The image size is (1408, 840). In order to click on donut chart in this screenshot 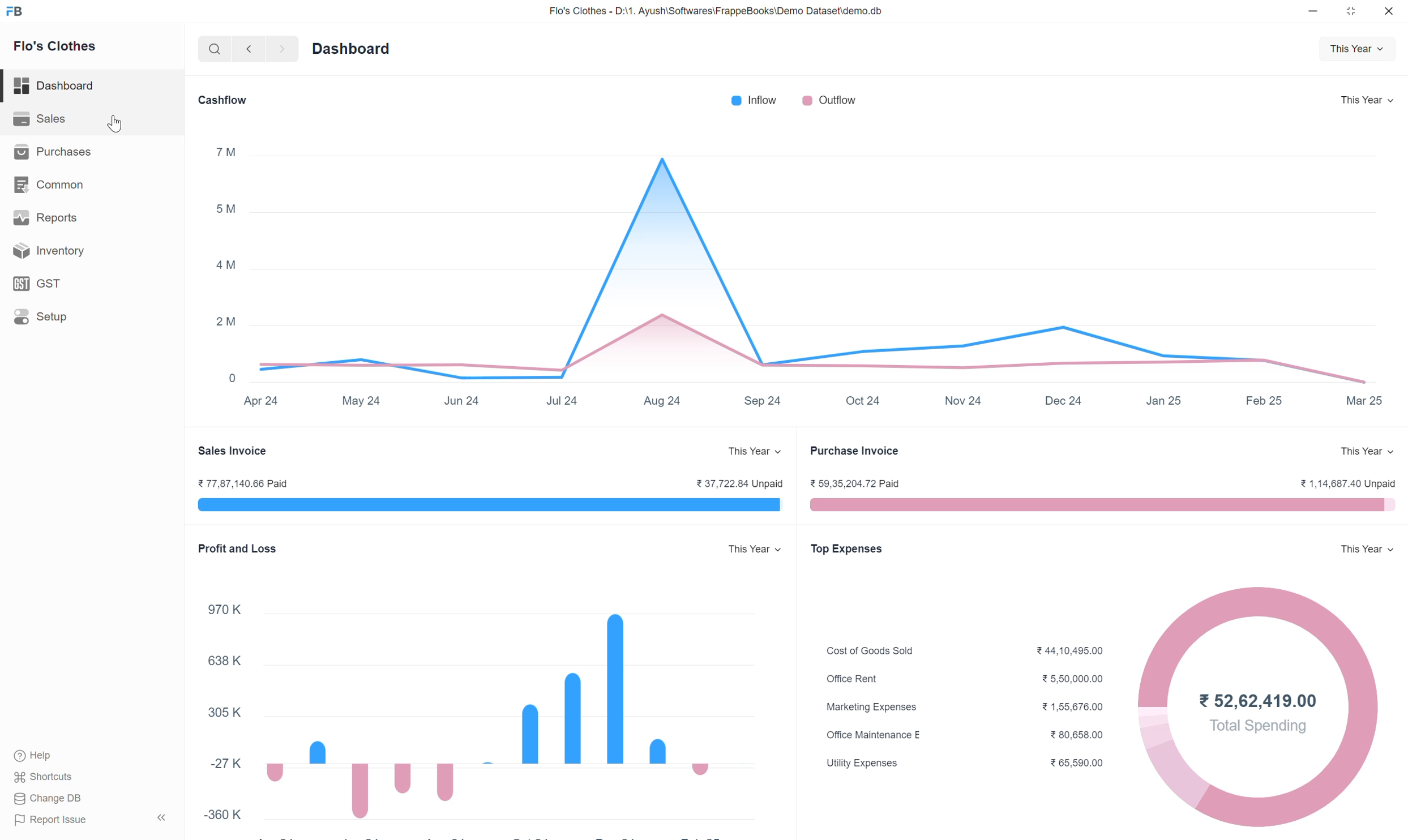, I will do `click(1262, 785)`.